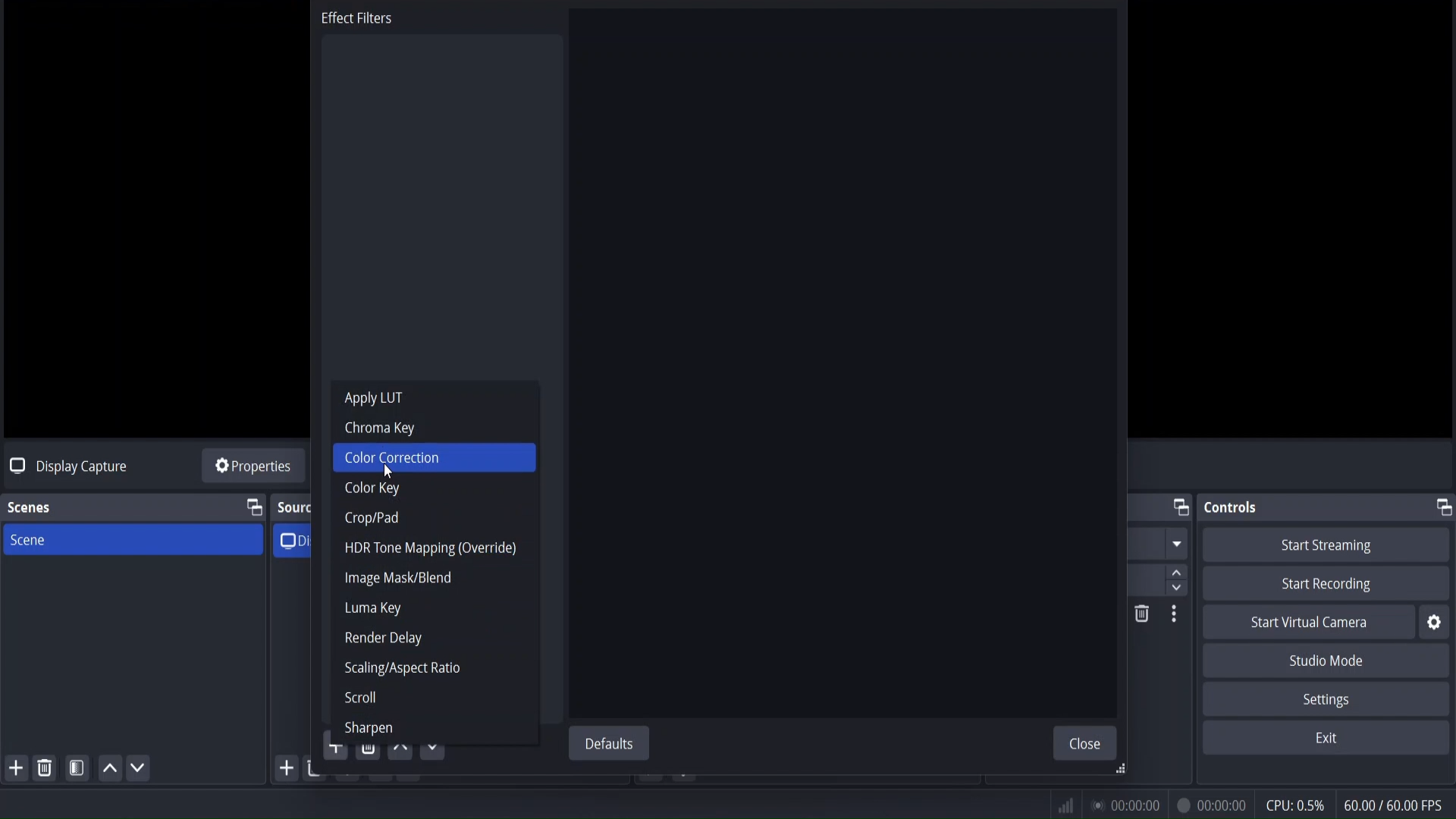 The height and width of the screenshot is (819, 1456). Describe the element at coordinates (1175, 617) in the screenshot. I see `` at that location.